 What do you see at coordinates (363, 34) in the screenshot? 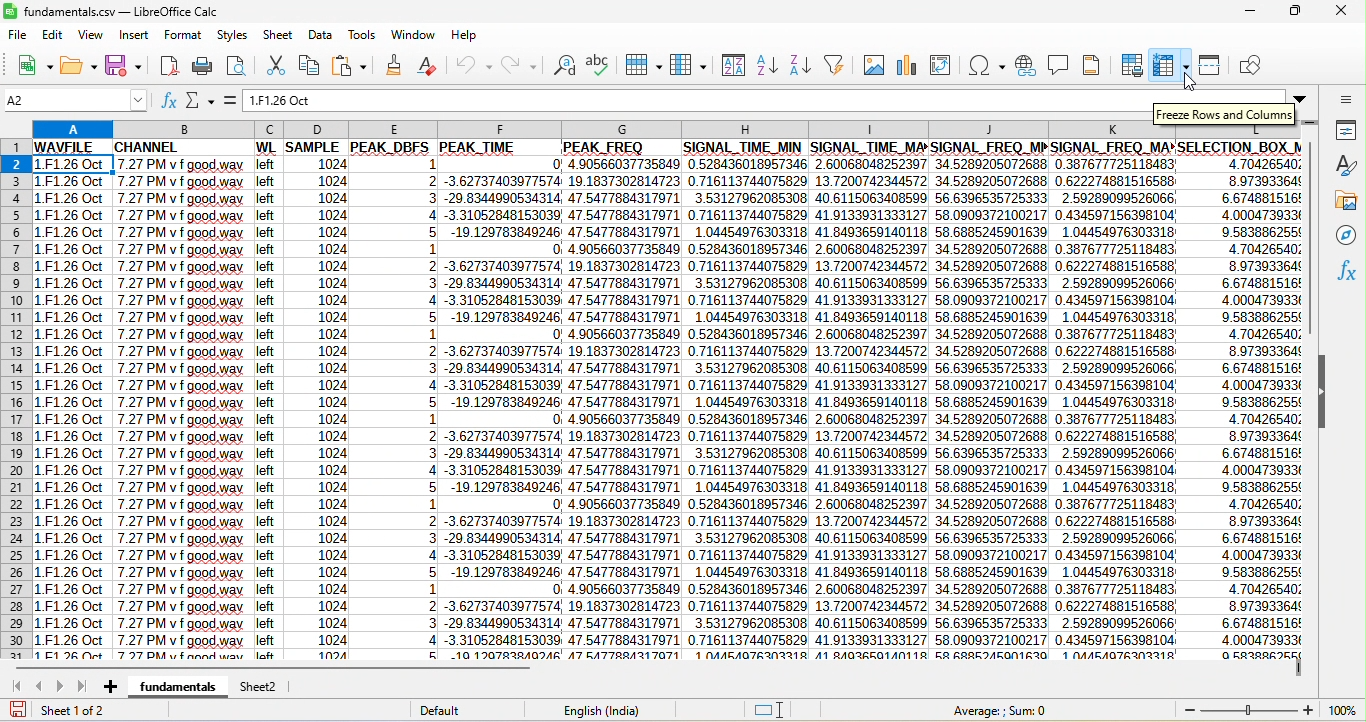
I see `tools` at bounding box center [363, 34].